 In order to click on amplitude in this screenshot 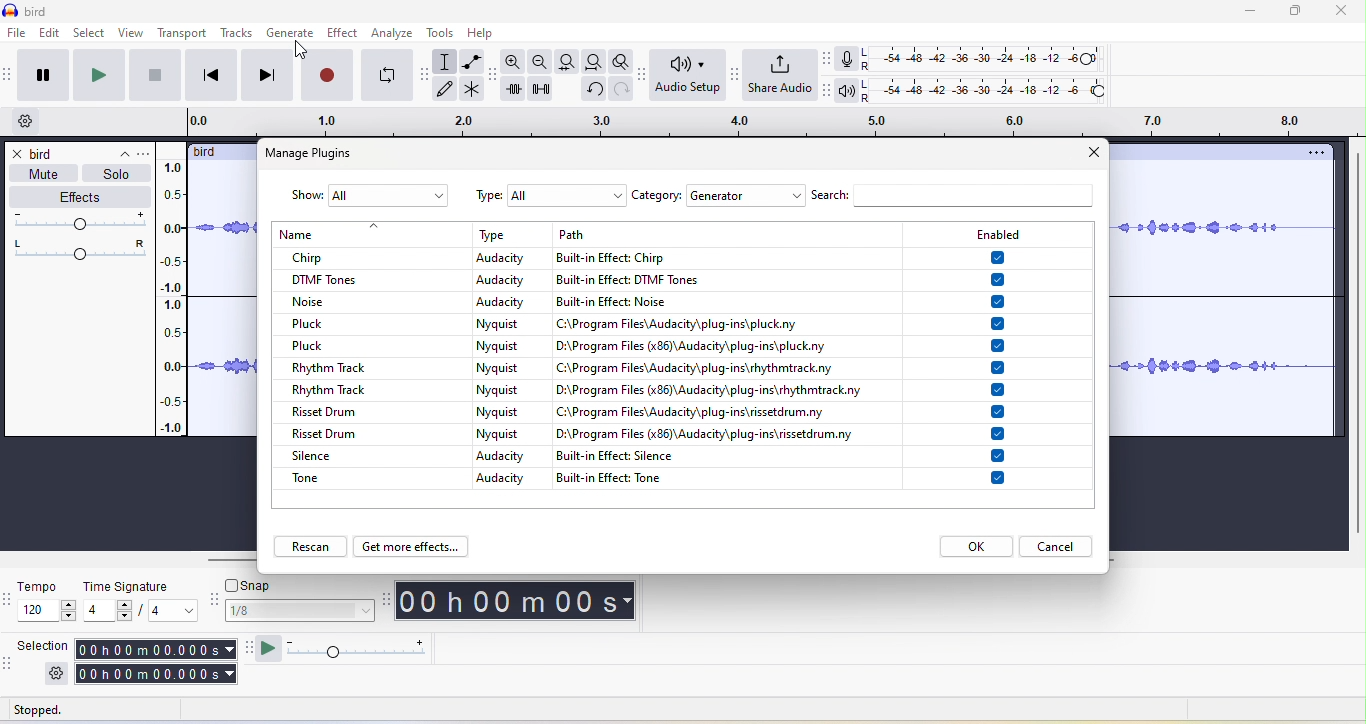, I will do `click(172, 298)`.